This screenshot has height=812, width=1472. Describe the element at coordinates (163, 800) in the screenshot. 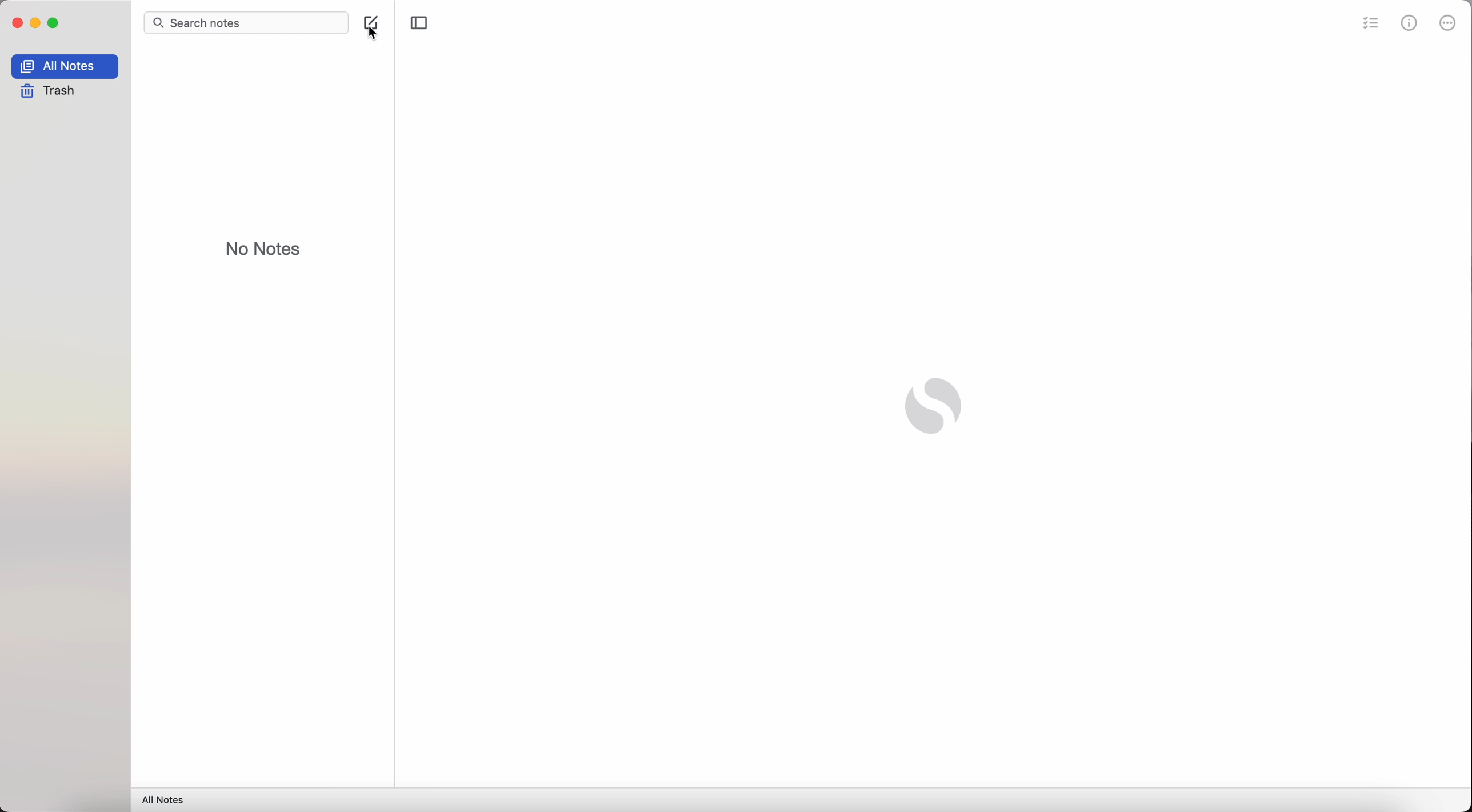

I see `all notes` at that location.